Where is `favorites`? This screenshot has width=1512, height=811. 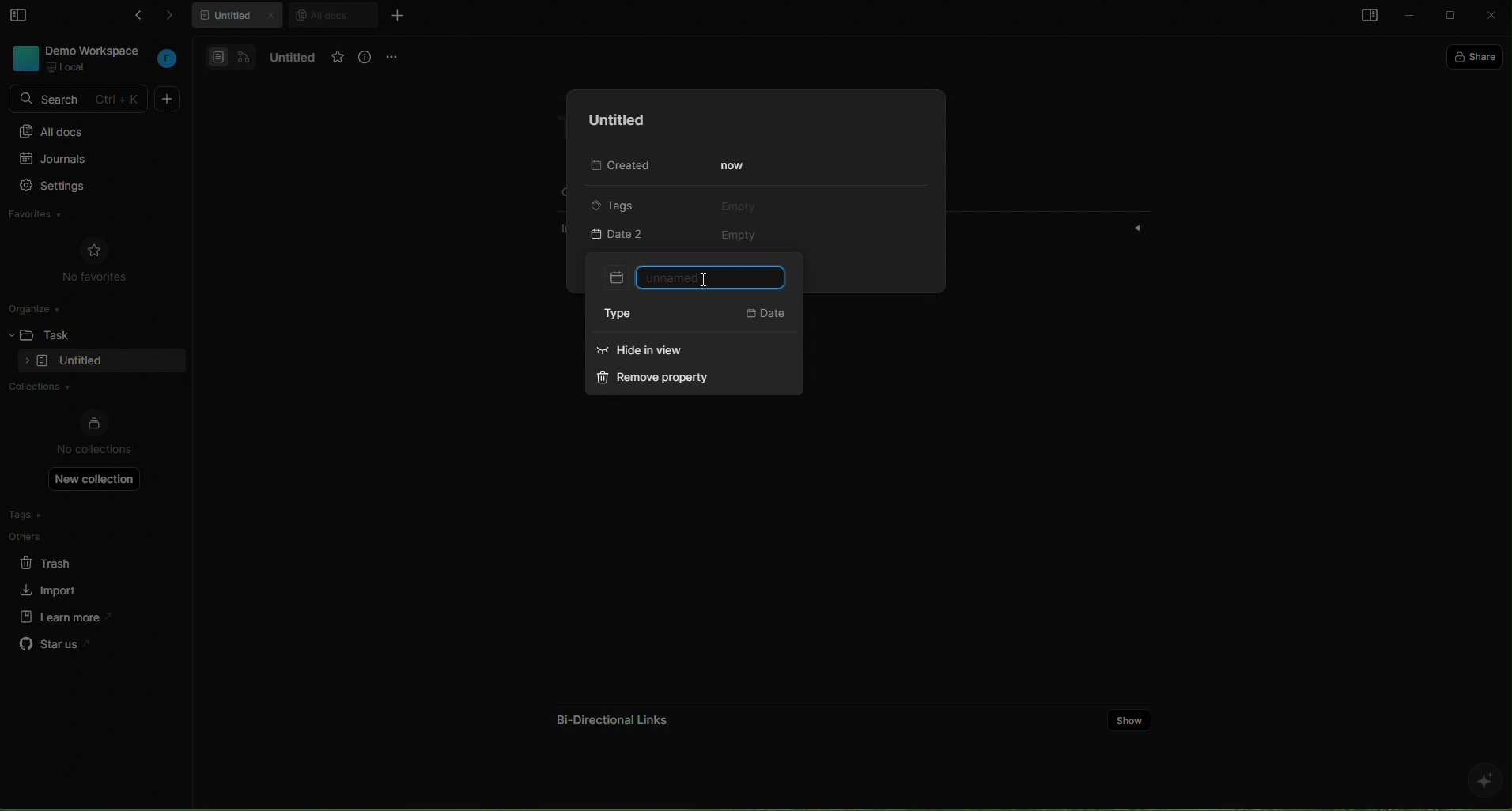
favorites is located at coordinates (51, 217).